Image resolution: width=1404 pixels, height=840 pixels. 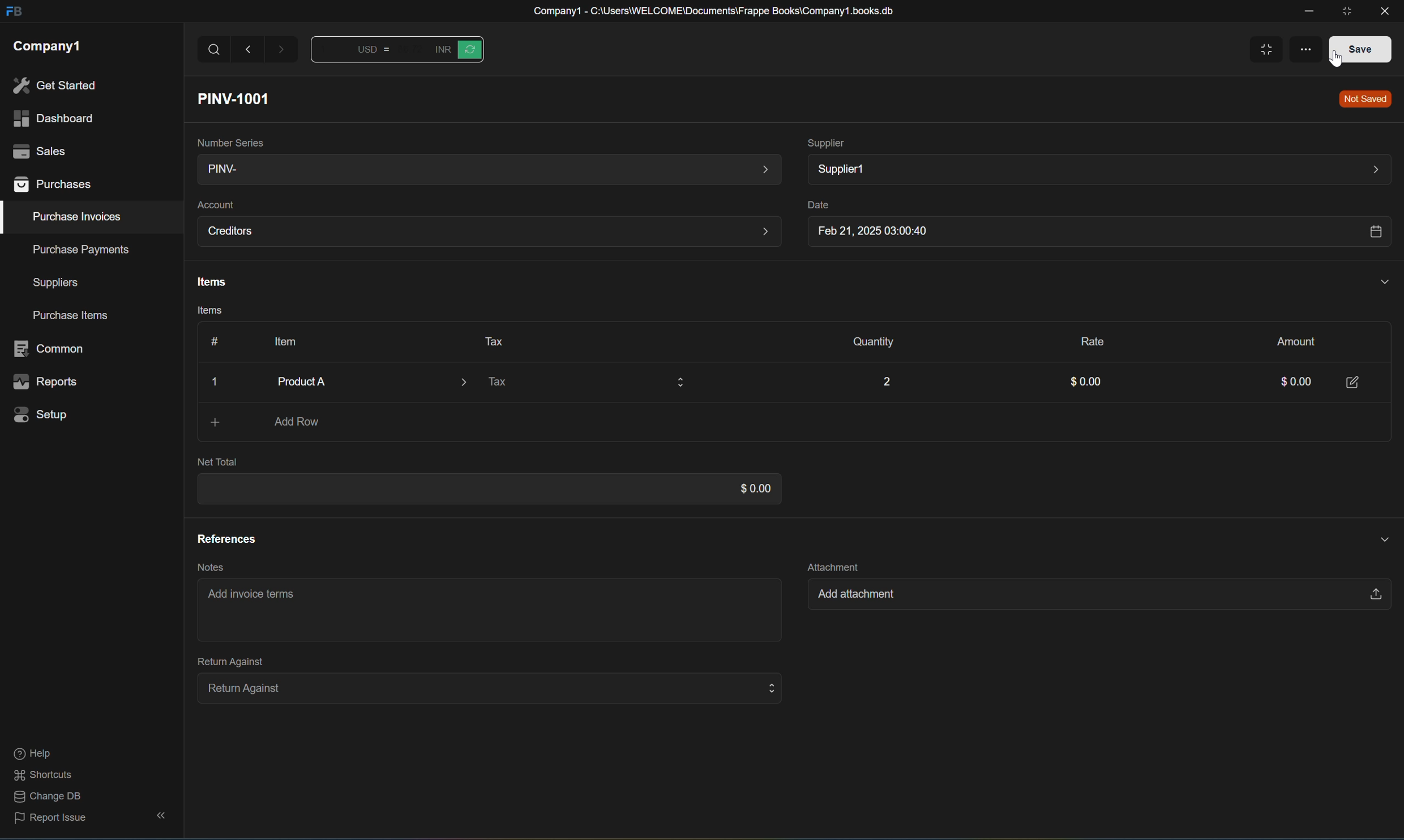 I want to click on Items, so click(x=208, y=282).